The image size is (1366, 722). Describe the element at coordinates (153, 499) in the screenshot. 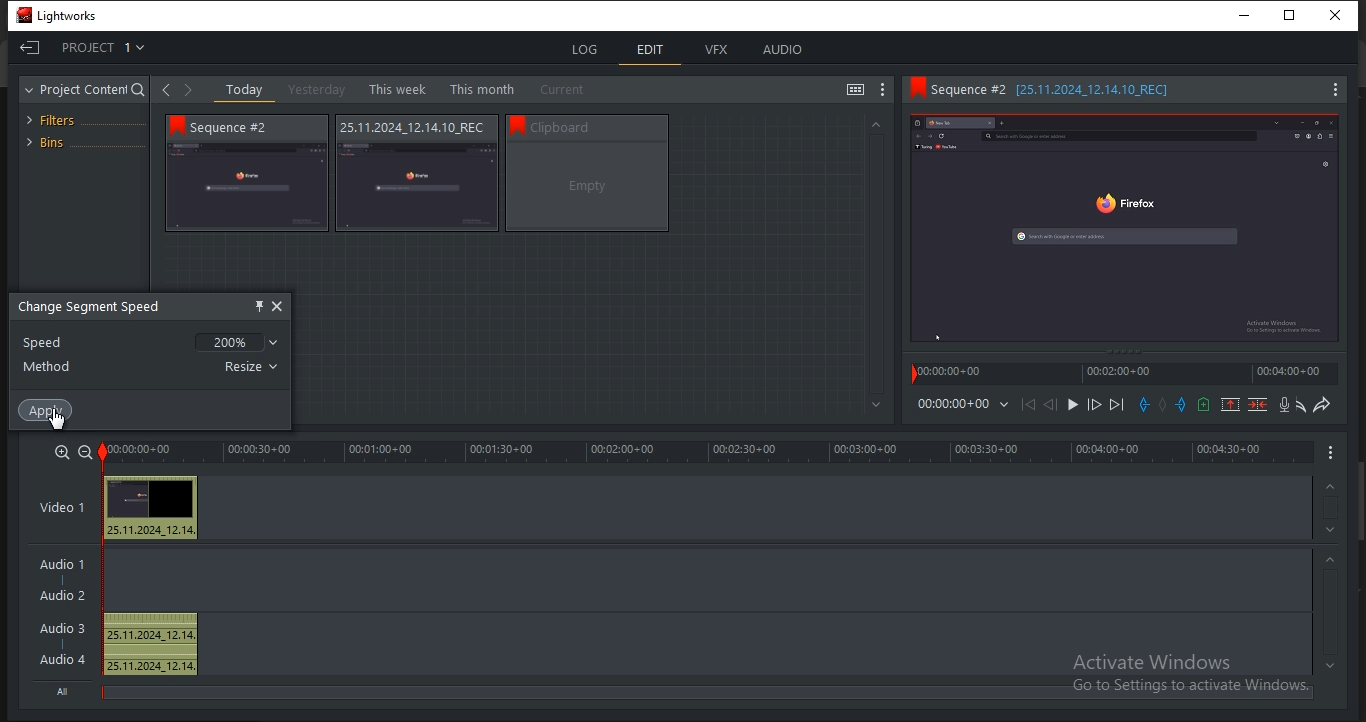

I see `Preview thumbnail` at that location.